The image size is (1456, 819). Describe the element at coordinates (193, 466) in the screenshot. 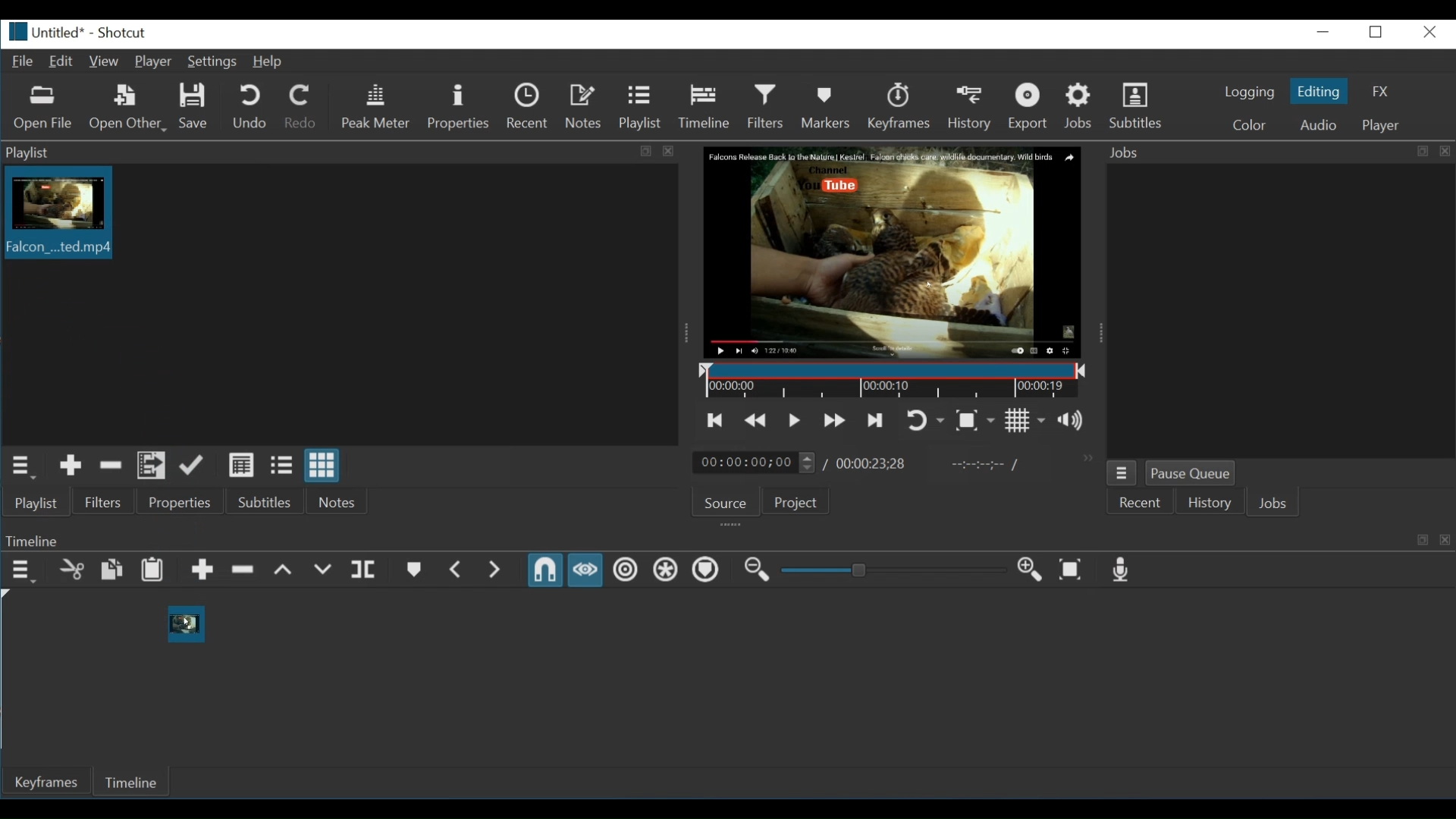

I see `Update` at that location.